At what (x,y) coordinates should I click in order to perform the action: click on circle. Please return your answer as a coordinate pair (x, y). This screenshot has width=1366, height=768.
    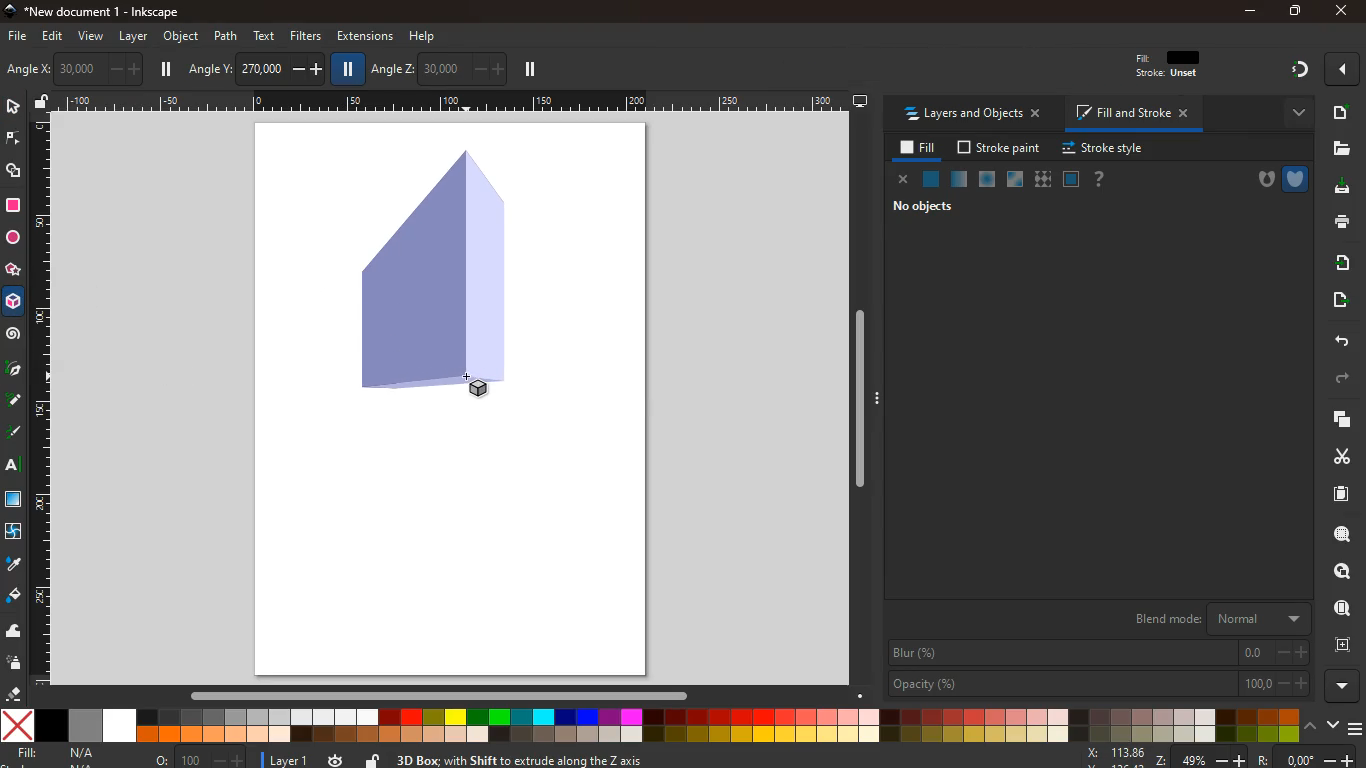
    Looking at the image, I should click on (12, 237).